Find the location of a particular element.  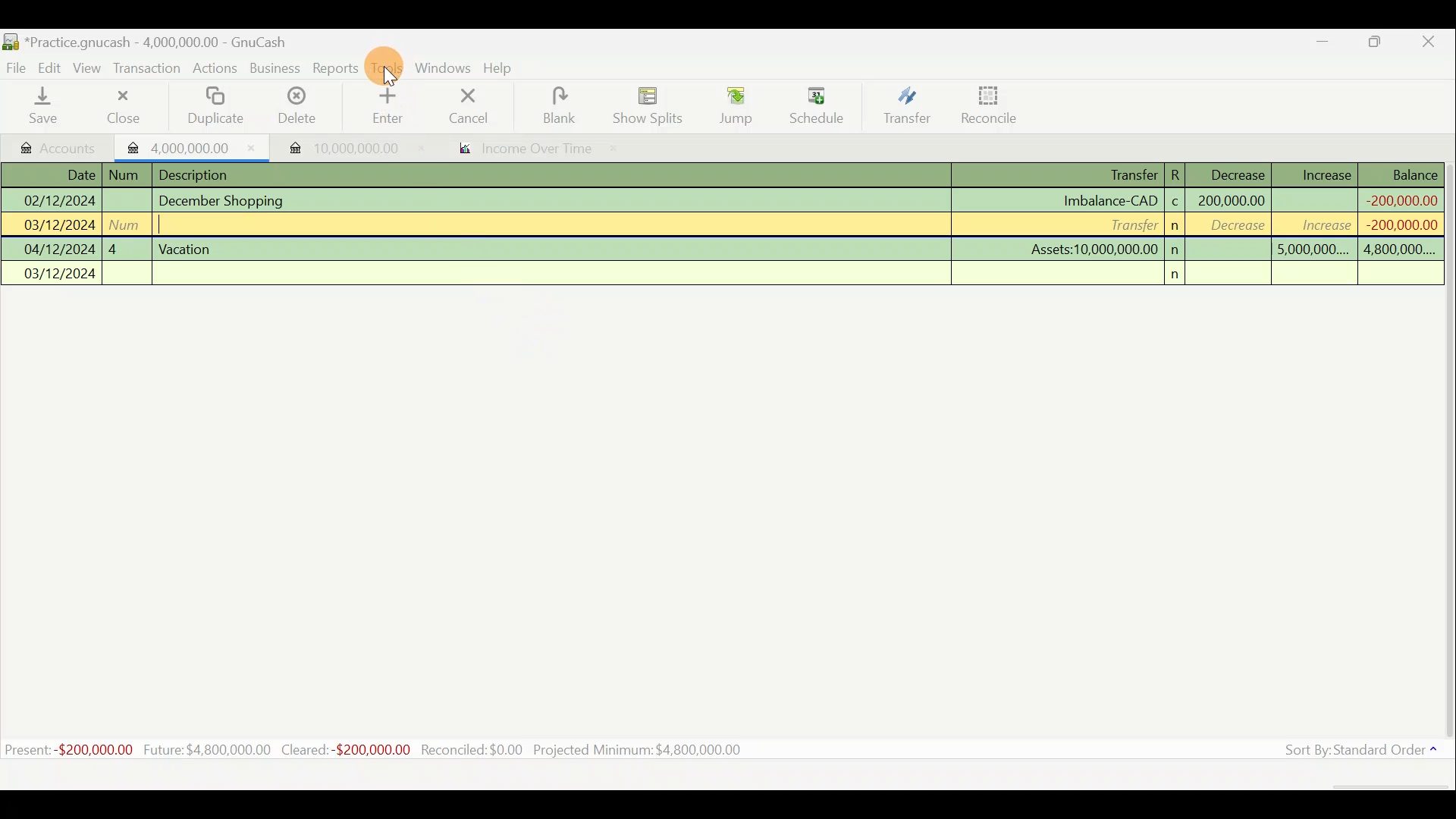

Imported transaction is located at coordinates (340, 144).